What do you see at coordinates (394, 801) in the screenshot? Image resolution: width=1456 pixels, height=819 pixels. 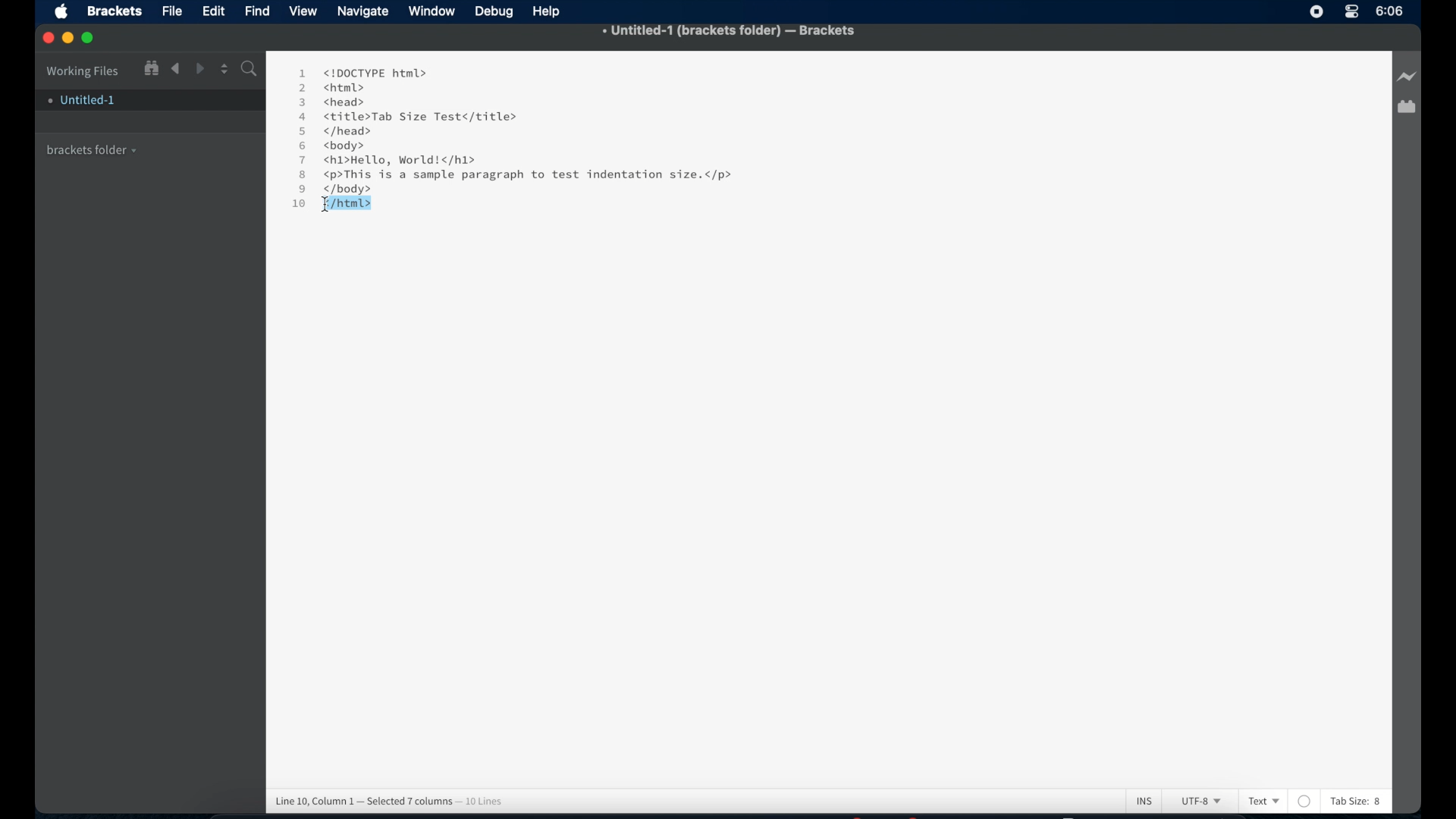 I see `Line 10, Column 1-Selected 7 columns-10 Lines` at bounding box center [394, 801].